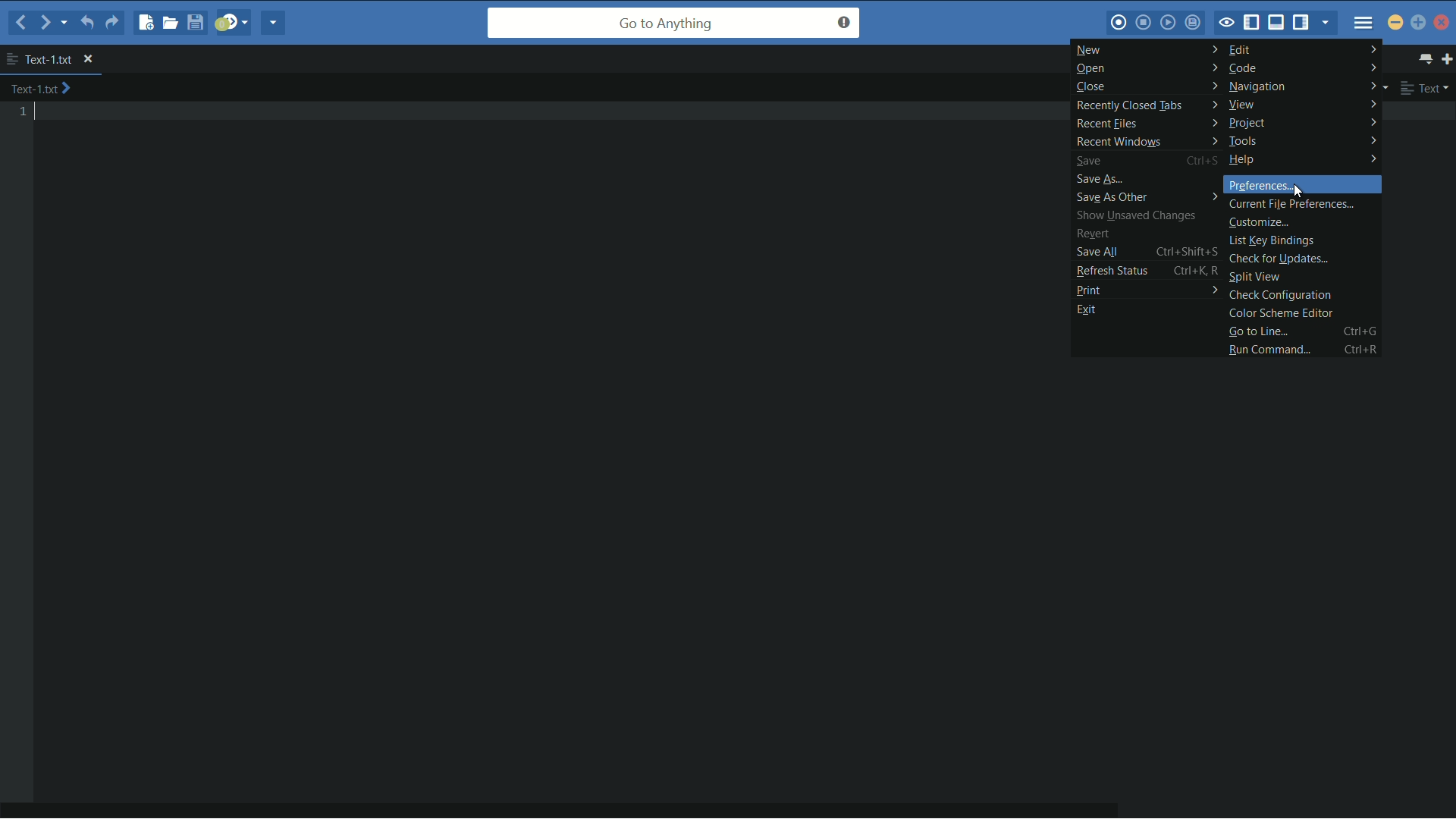 The image size is (1456, 819). What do you see at coordinates (1427, 59) in the screenshot?
I see `show all tab` at bounding box center [1427, 59].